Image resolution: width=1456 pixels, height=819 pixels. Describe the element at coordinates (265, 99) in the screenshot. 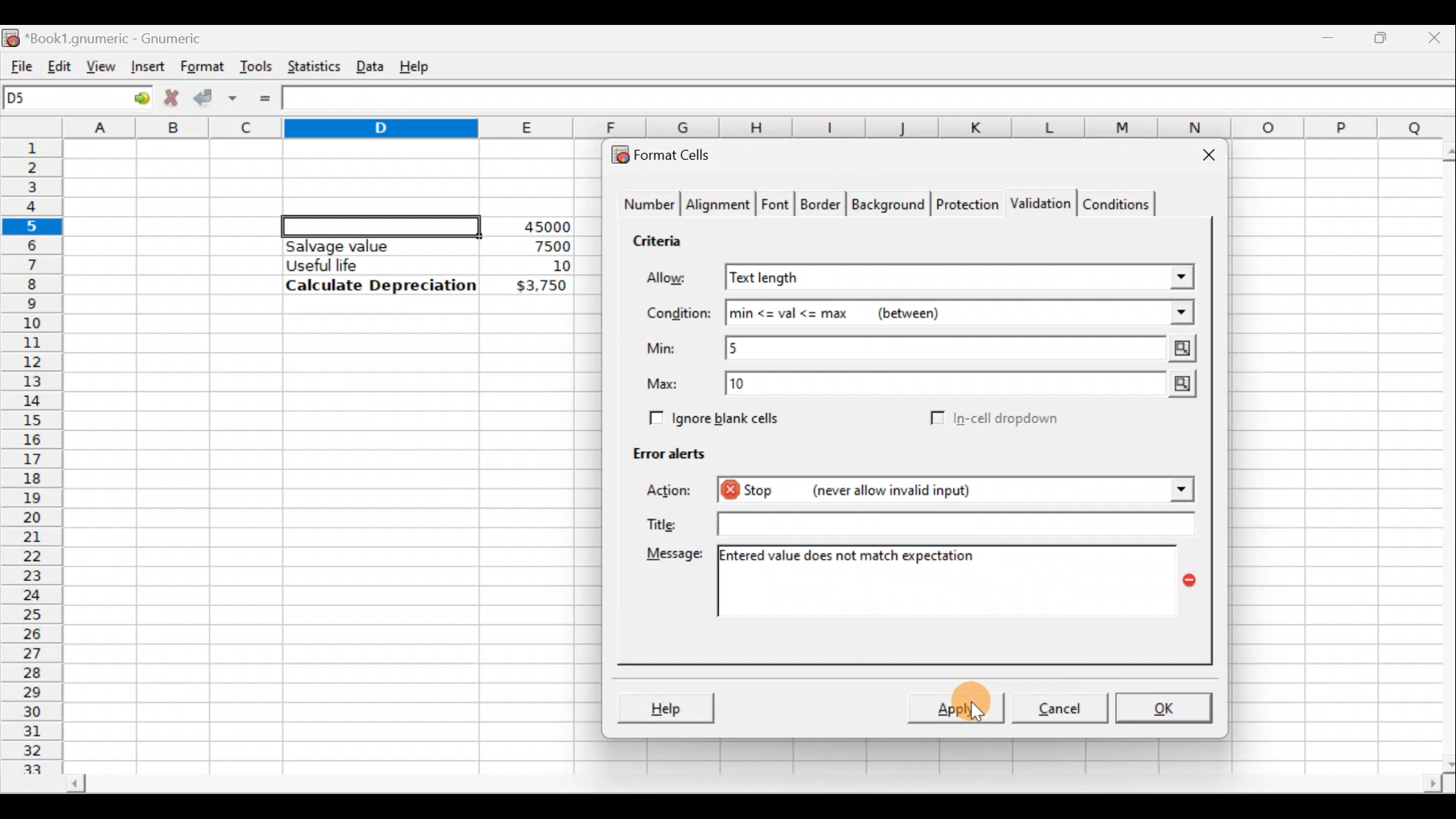

I see `Enter formula` at that location.